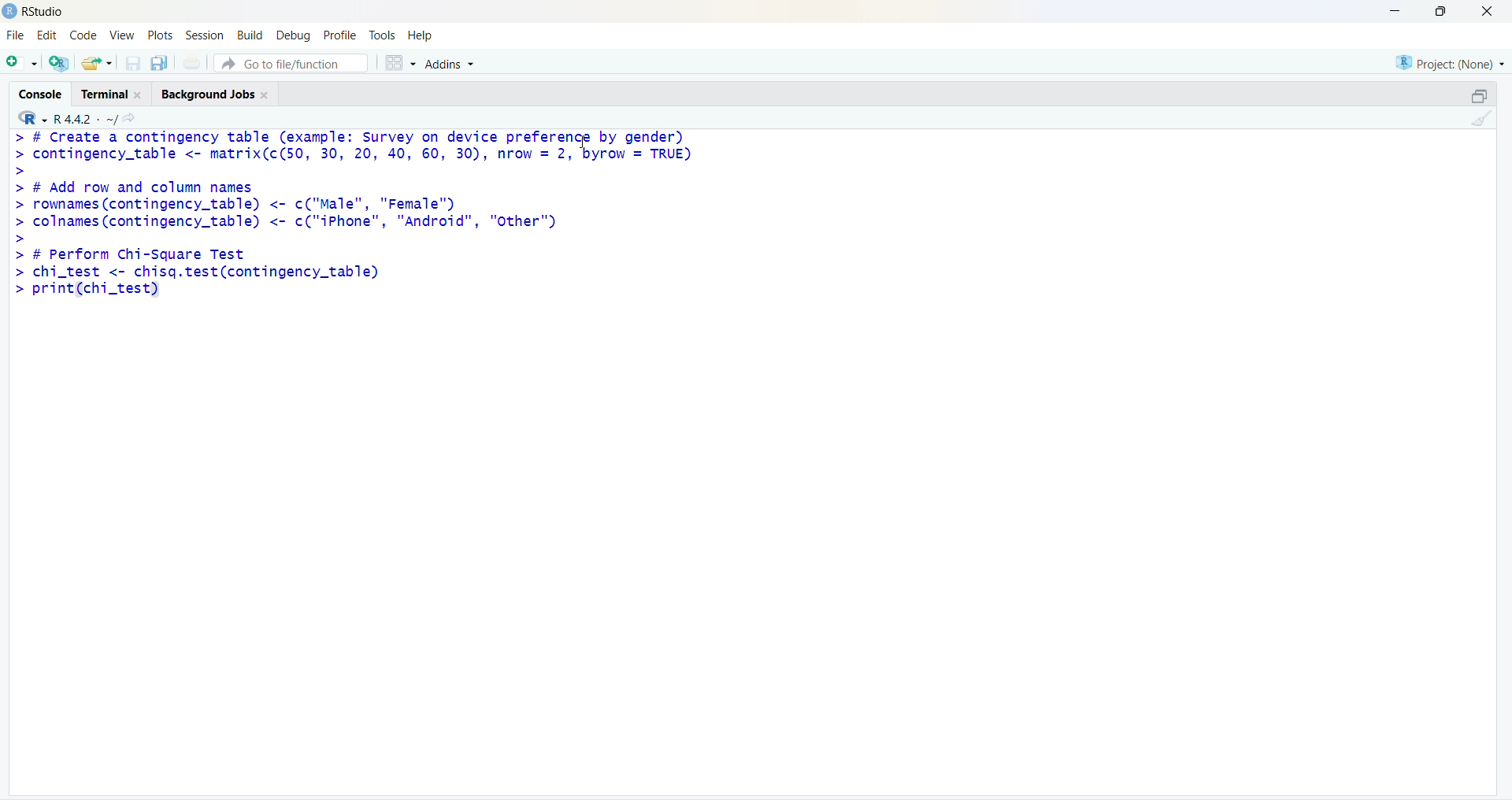 The width and height of the screenshot is (1512, 800). I want to click on print, so click(191, 61).